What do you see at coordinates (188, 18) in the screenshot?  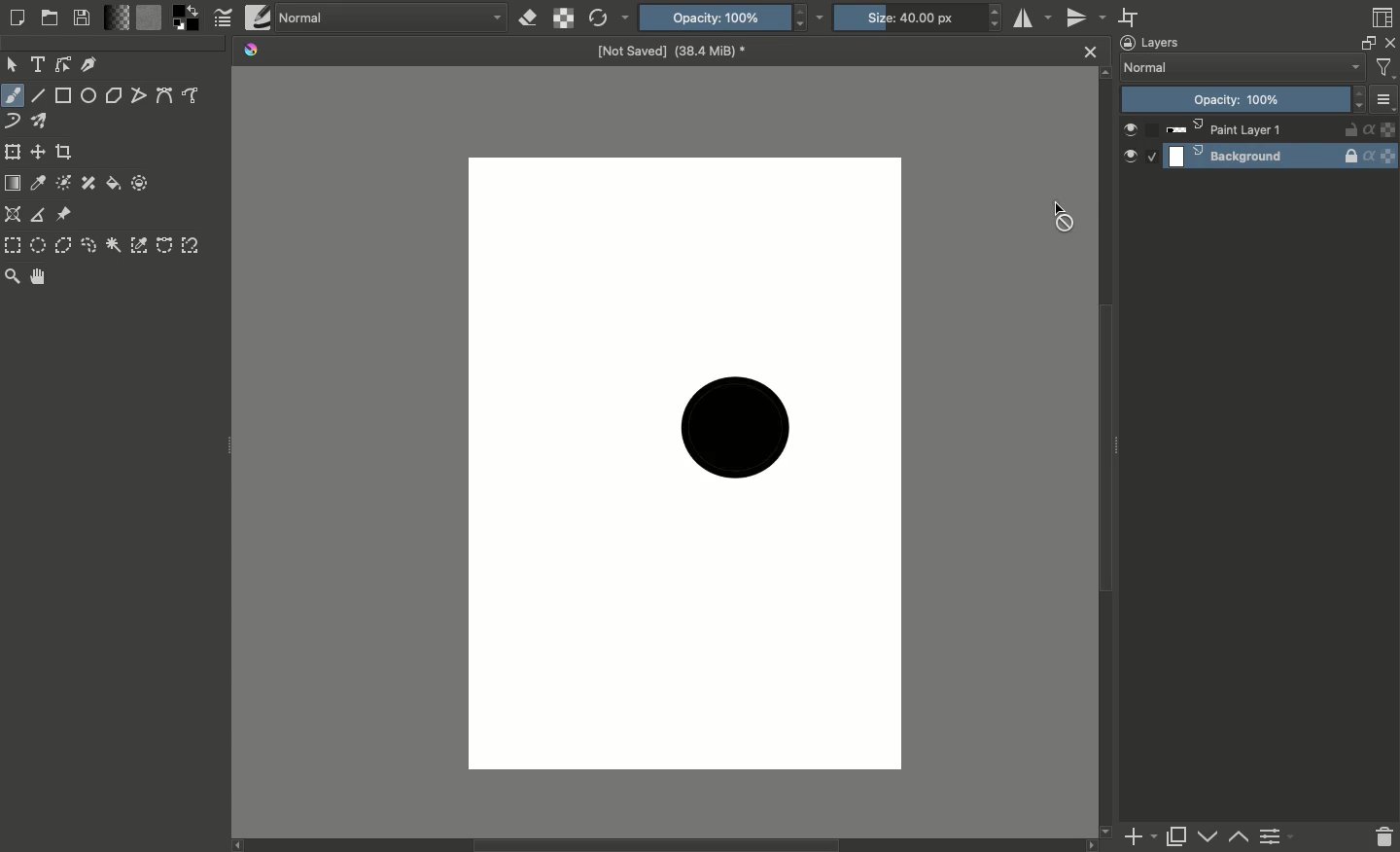 I see `Foreground` at bounding box center [188, 18].